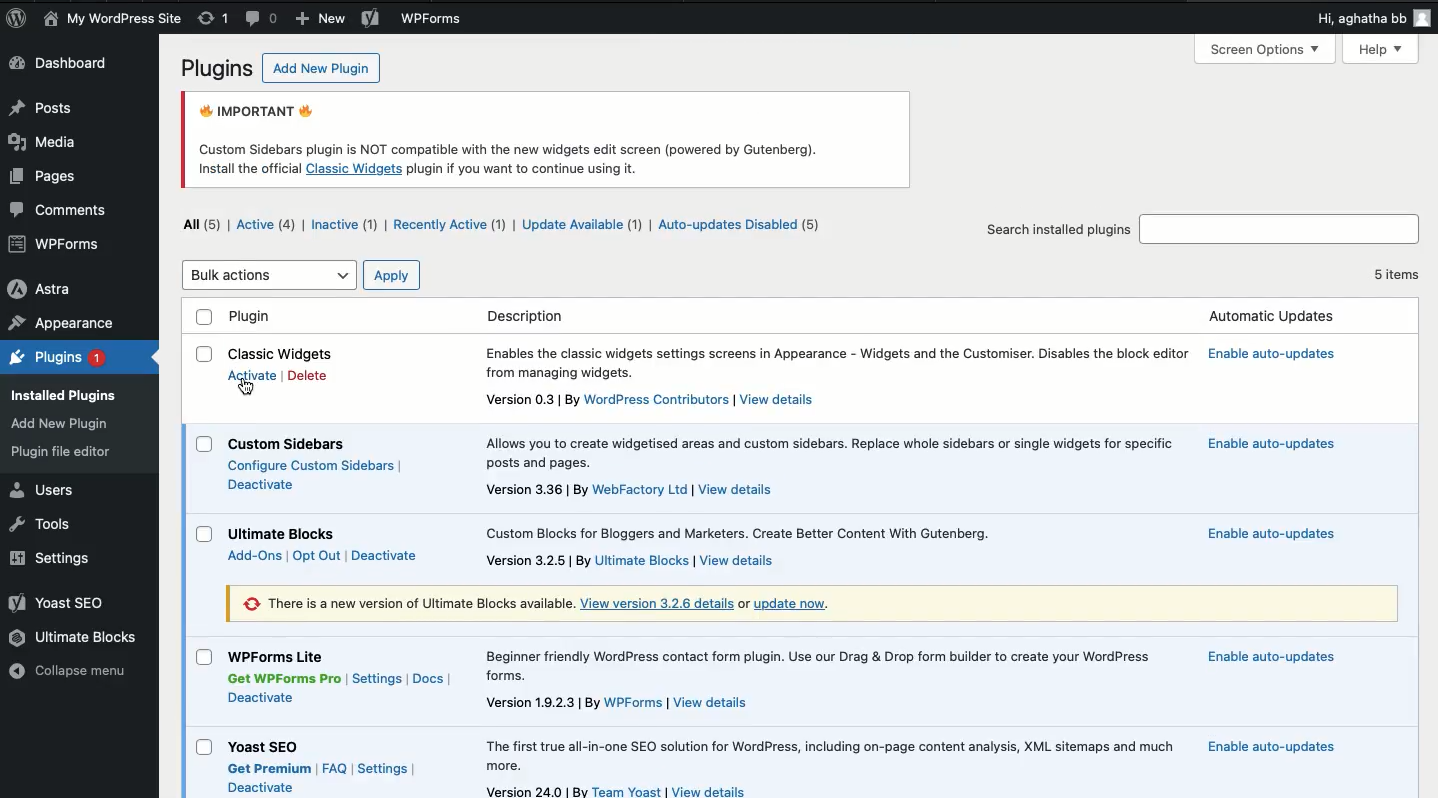  What do you see at coordinates (212, 17) in the screenshot?
I see `Revision` at bounding box center [212, 17].